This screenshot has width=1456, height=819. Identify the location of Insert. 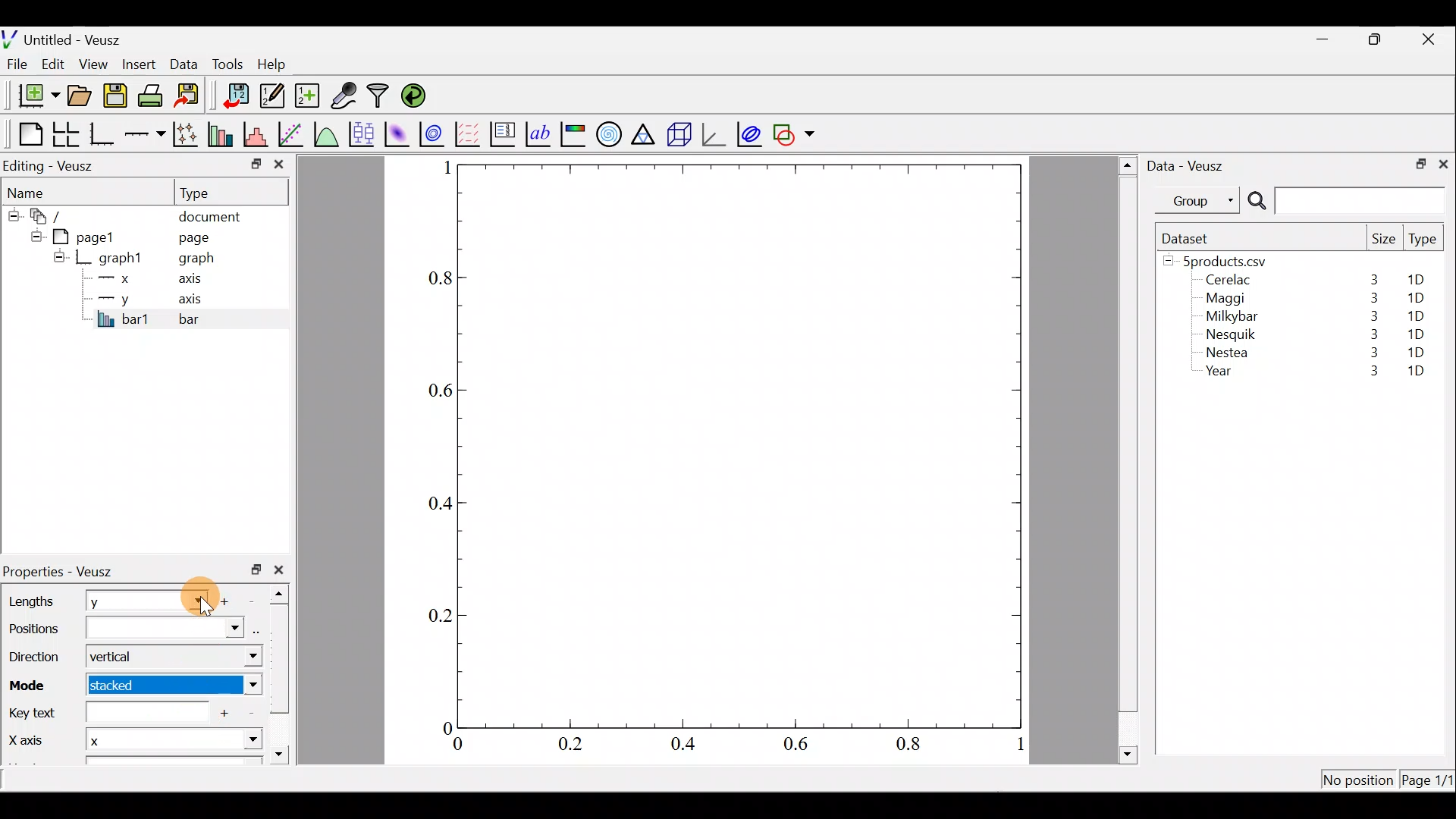
(141, 64).